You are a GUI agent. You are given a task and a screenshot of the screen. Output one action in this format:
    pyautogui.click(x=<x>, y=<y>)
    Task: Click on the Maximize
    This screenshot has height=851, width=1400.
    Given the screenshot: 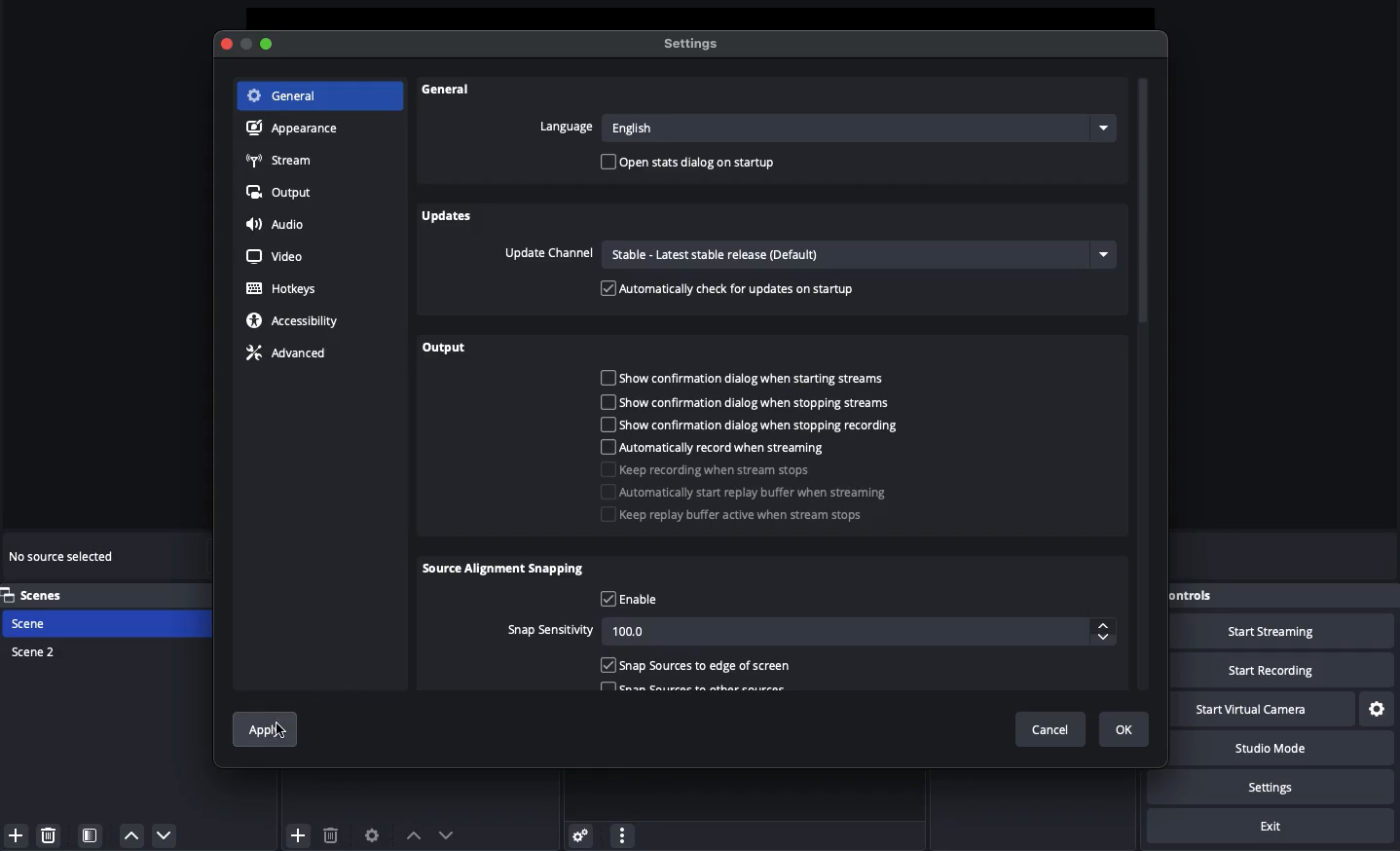 What is the action you would take?
    pyautogui.click(x=268, y=45)
    